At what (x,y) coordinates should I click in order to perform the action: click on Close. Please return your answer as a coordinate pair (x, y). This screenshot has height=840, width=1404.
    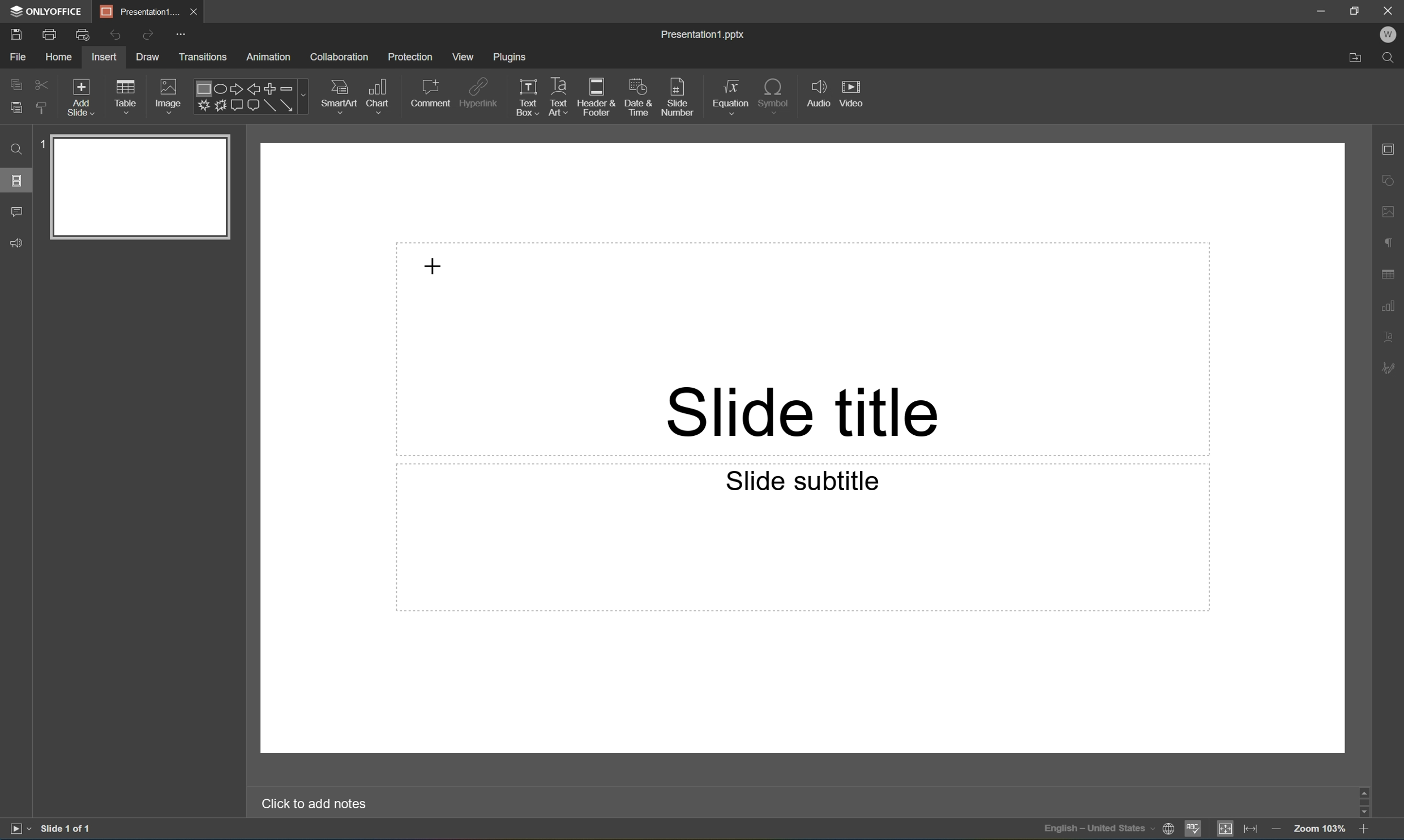
    Looking at the image, I should click on (192, 12).